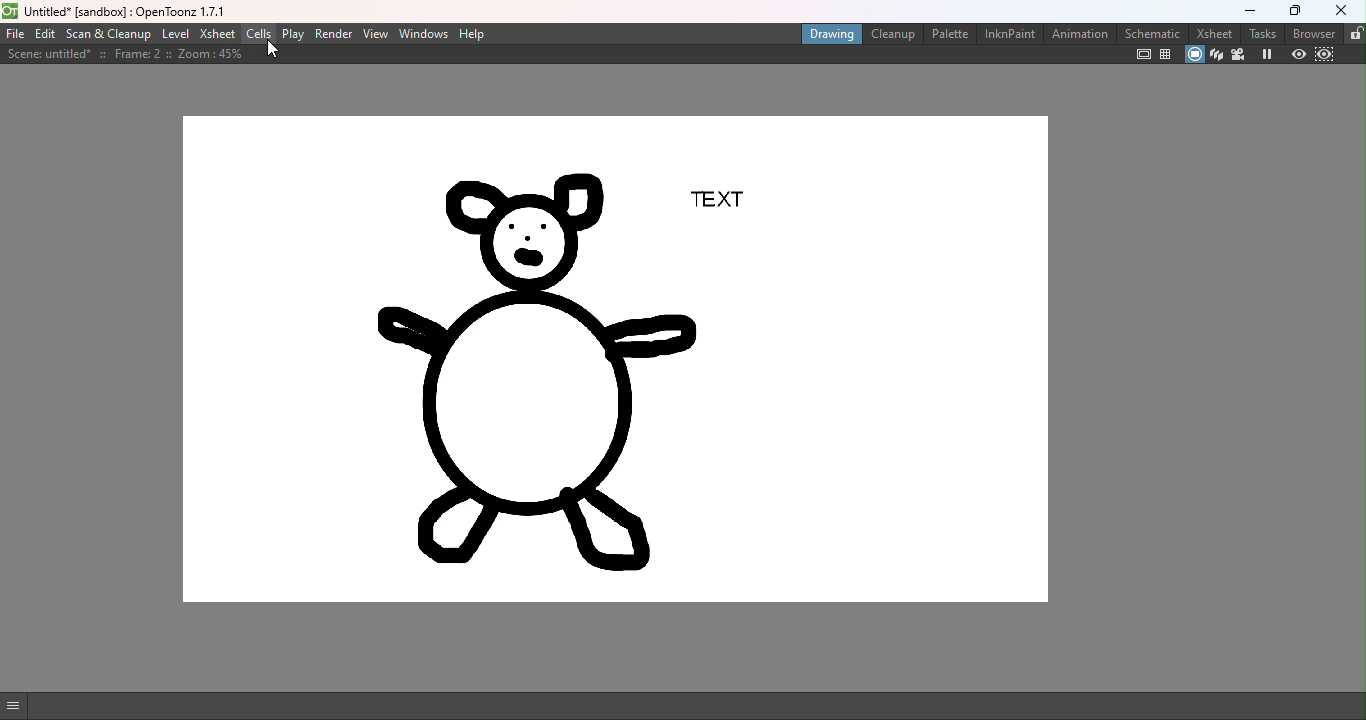 Image resolution: width=1366 pixels, height=720 pixels. Describe the element at coordinates (1165, 53) in the screenshot. I see `Field guide` at that location.